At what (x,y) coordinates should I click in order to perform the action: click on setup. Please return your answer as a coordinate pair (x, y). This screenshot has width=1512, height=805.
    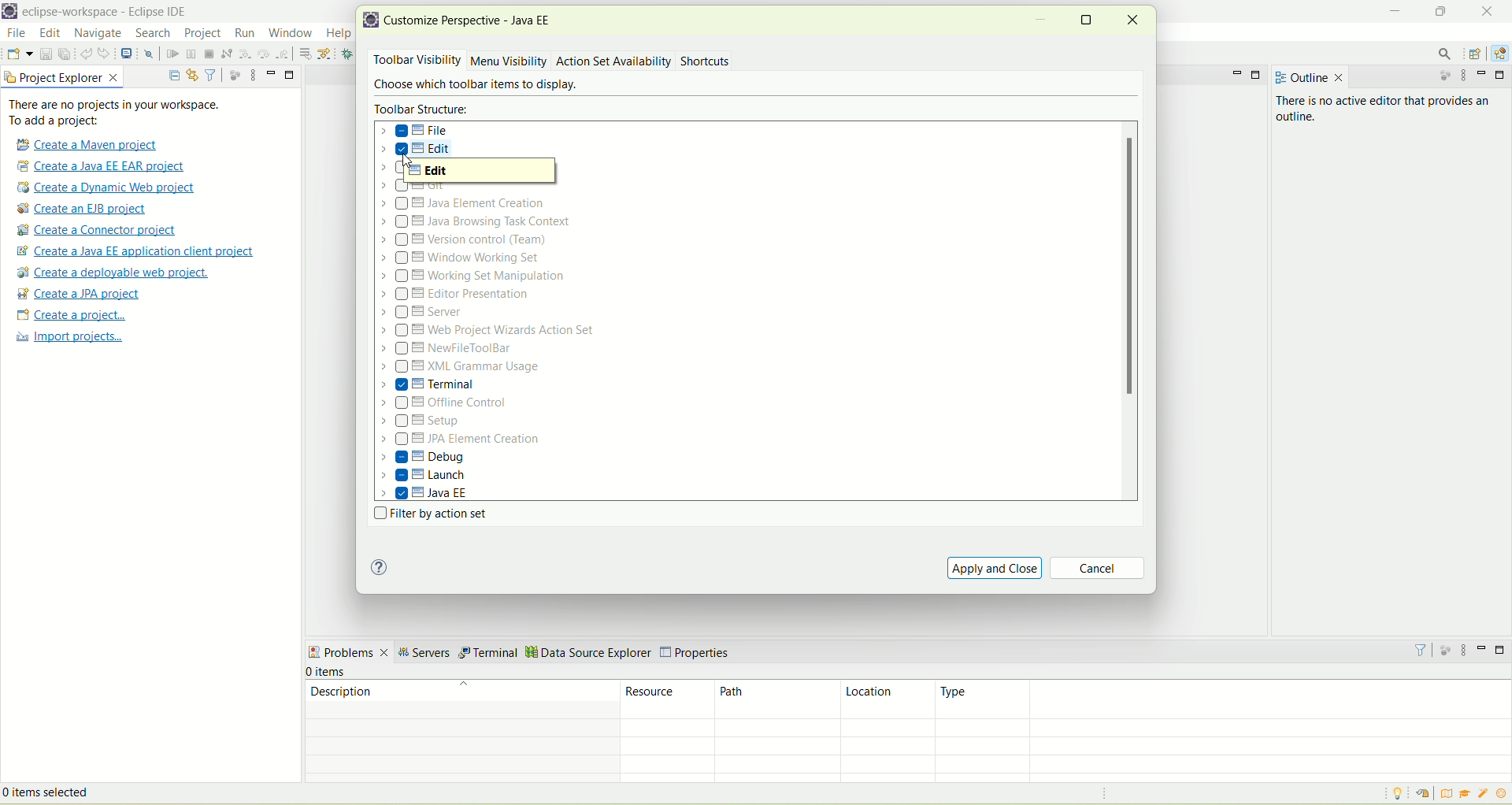
    Looking at the image, I should click on (426, 422).